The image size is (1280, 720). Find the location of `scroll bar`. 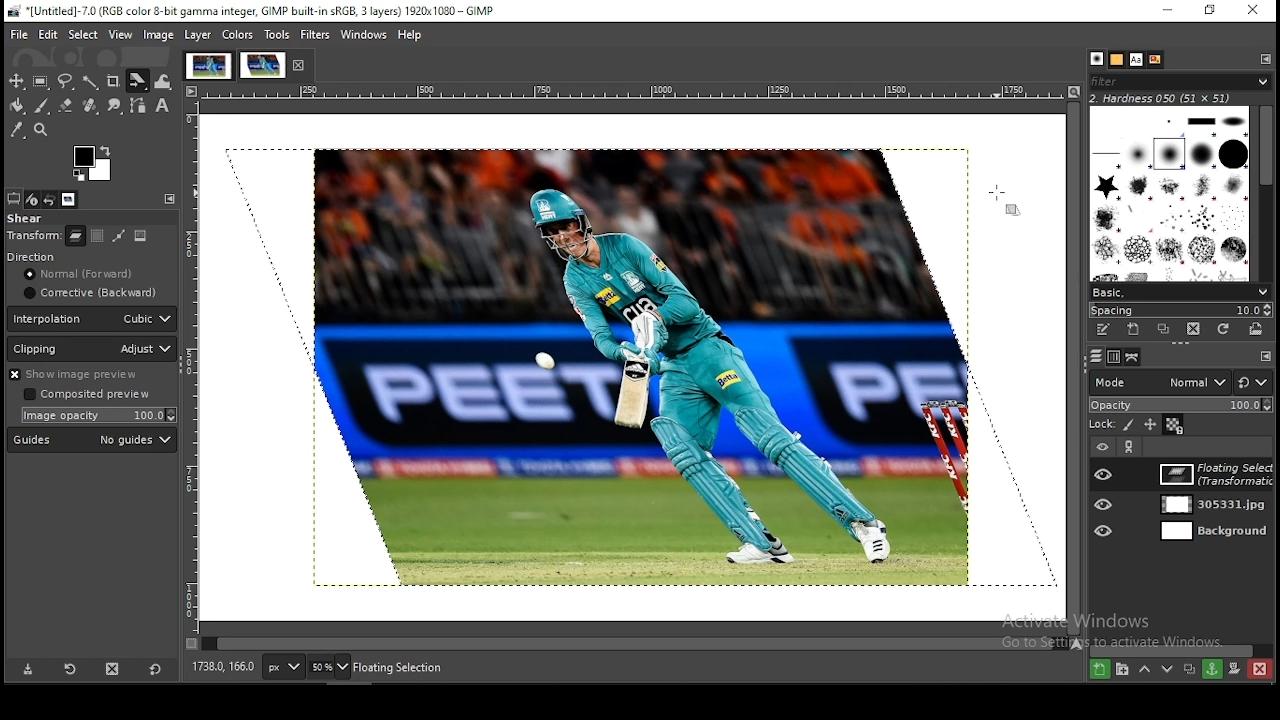

scroll bar is located at coordinates (634, 644).